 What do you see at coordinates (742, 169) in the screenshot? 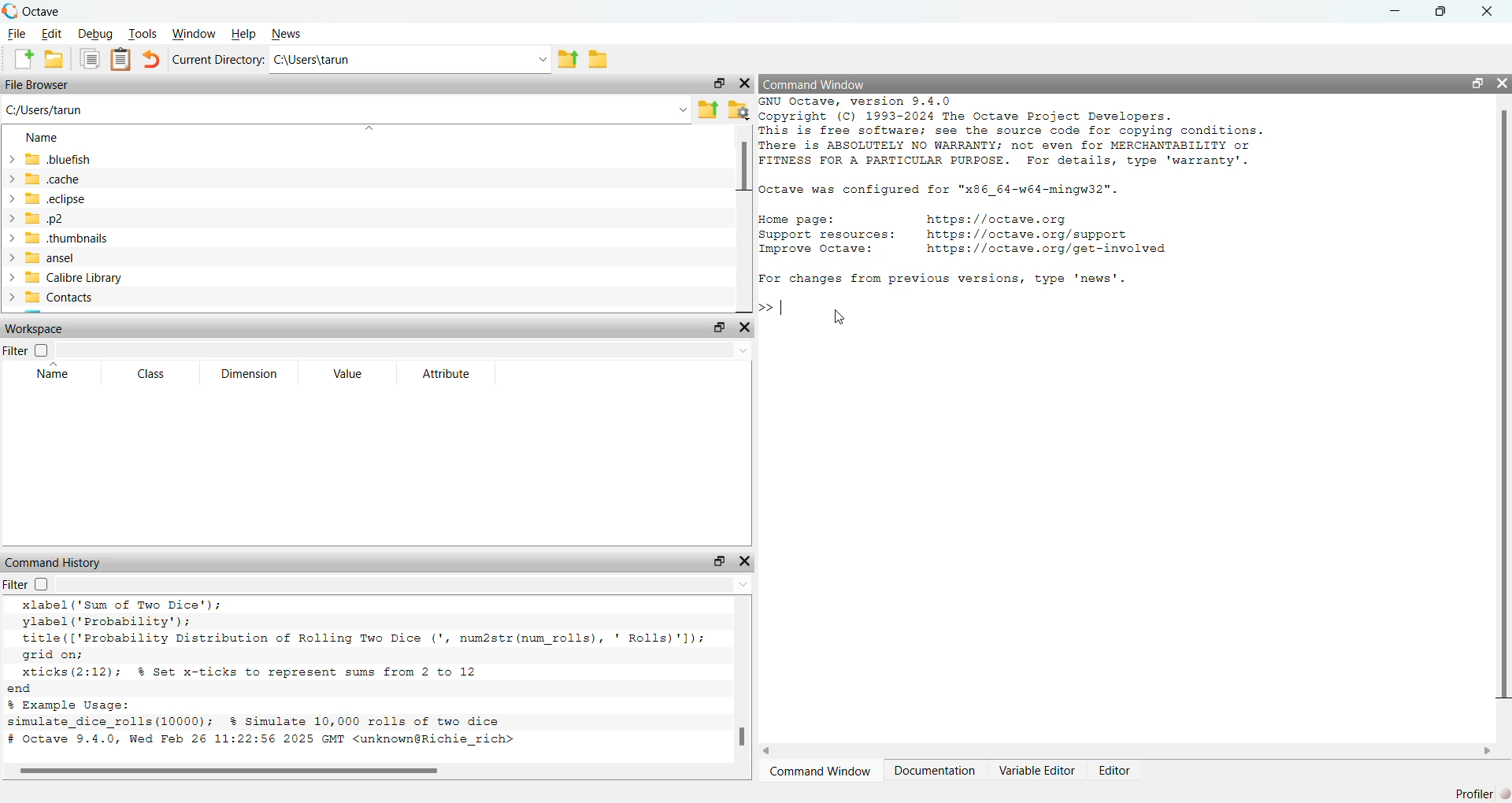
I see `Scrollbar` at bounding box center [742, 169].